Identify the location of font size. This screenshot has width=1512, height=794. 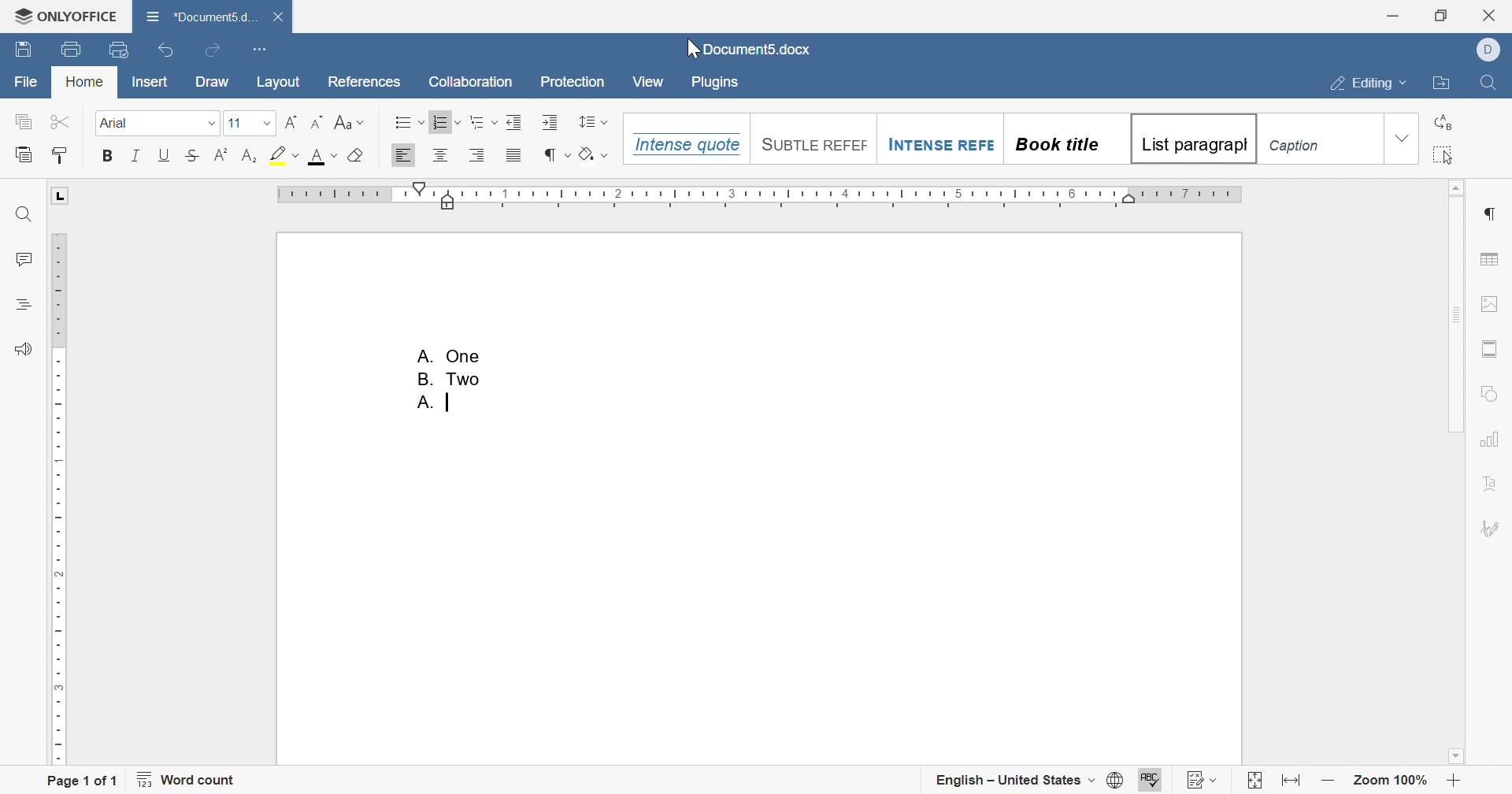
(234, 123).